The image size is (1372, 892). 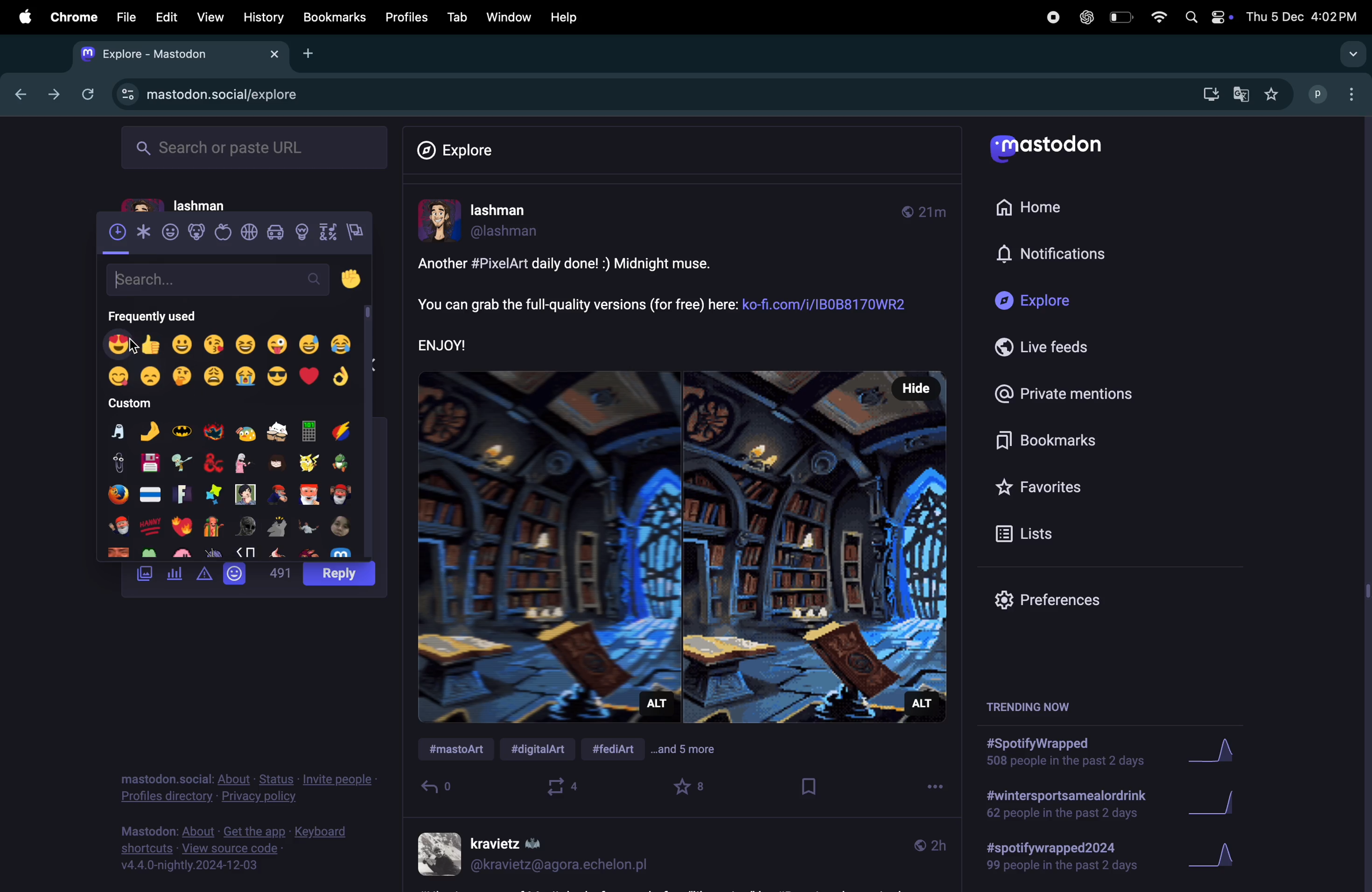 I want to click on apple widgets, so click(x=1207, y=17).